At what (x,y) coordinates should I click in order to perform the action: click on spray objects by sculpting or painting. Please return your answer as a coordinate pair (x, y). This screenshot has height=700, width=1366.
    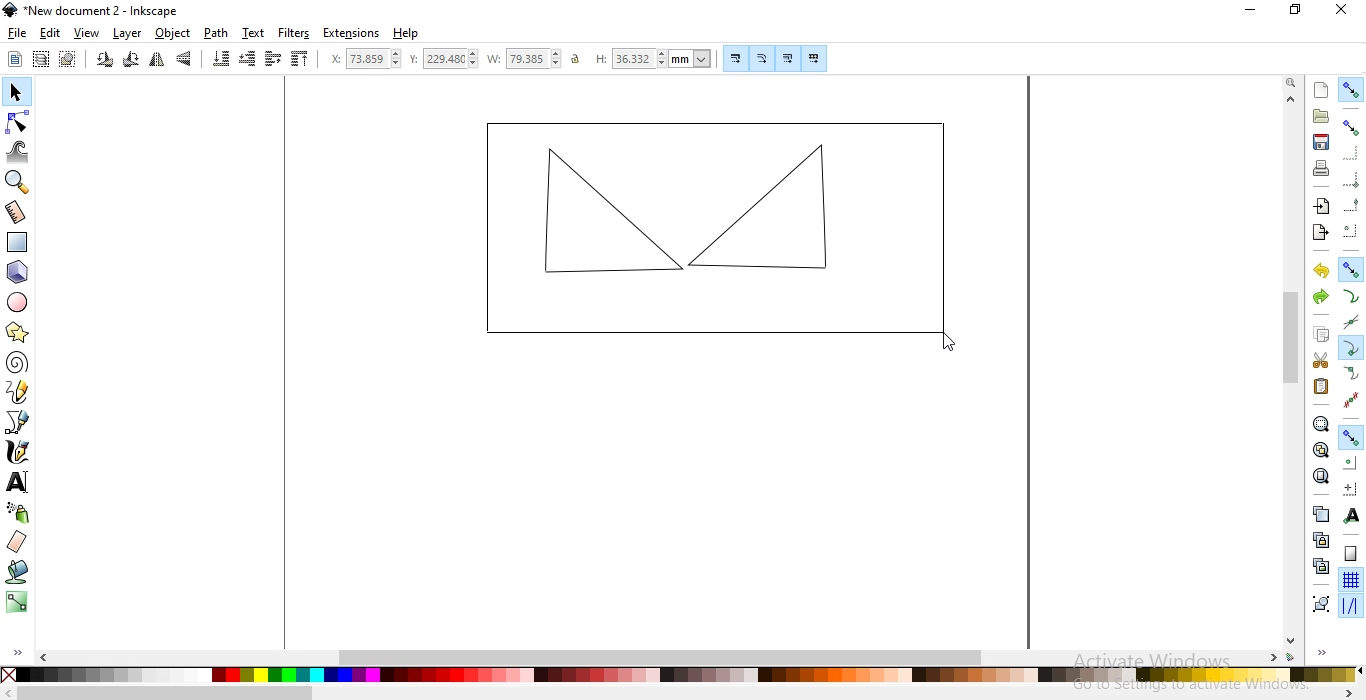
    Looking at the image, I should click on (18, 513).